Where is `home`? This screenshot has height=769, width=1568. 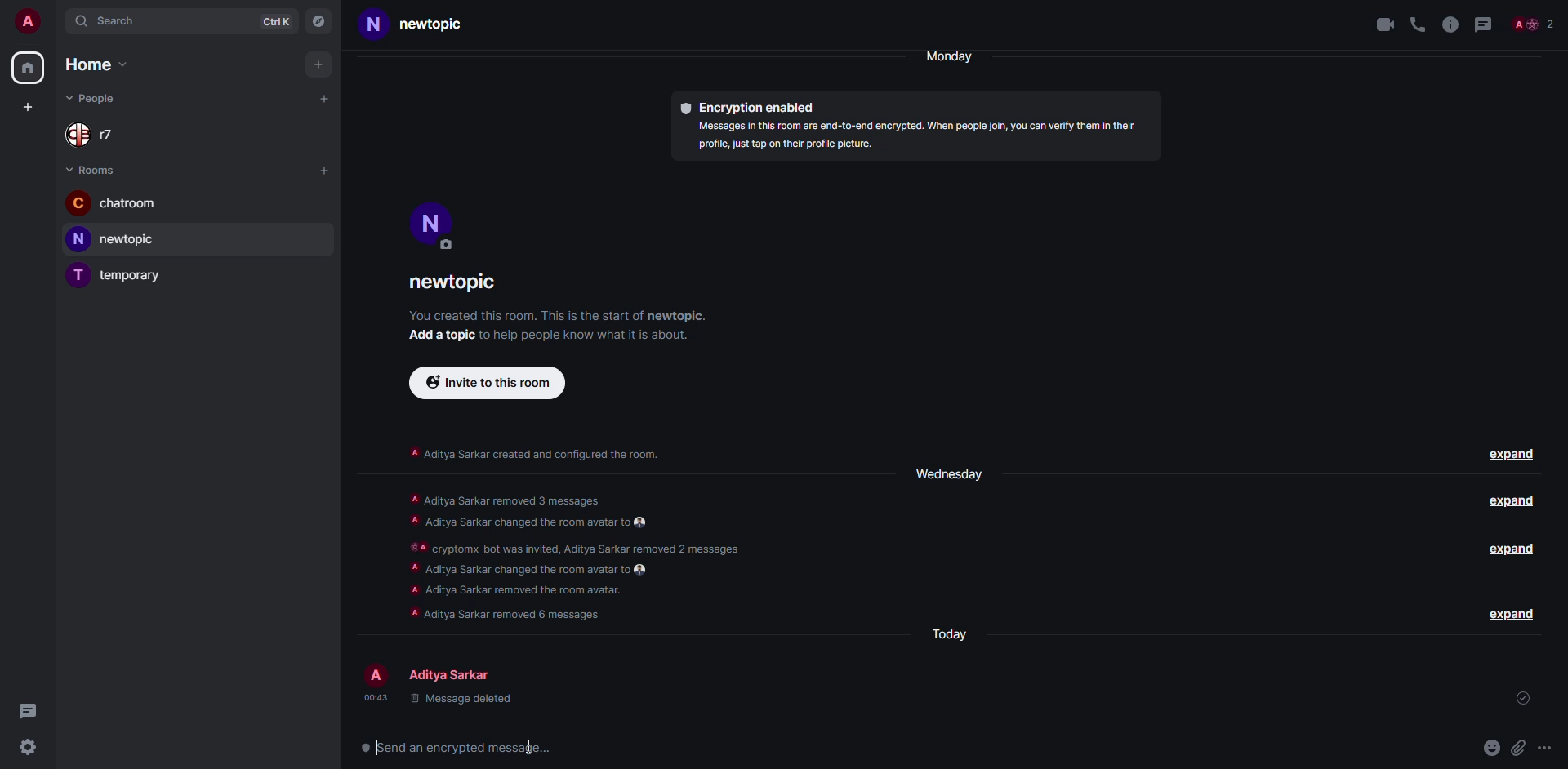
home is located at coordinates (93, 64).